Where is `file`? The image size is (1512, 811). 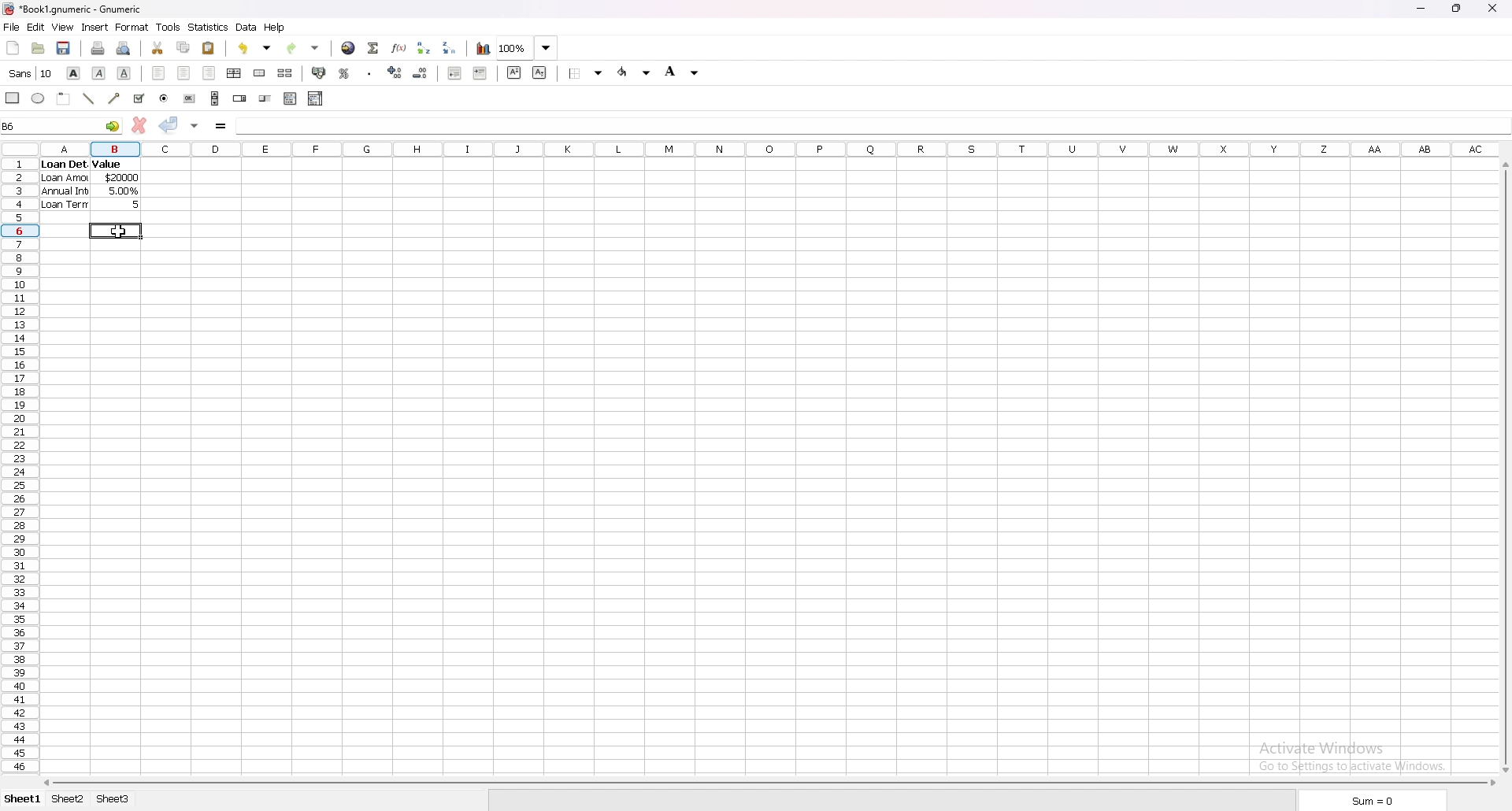 file is located at coordinates (11, 27).